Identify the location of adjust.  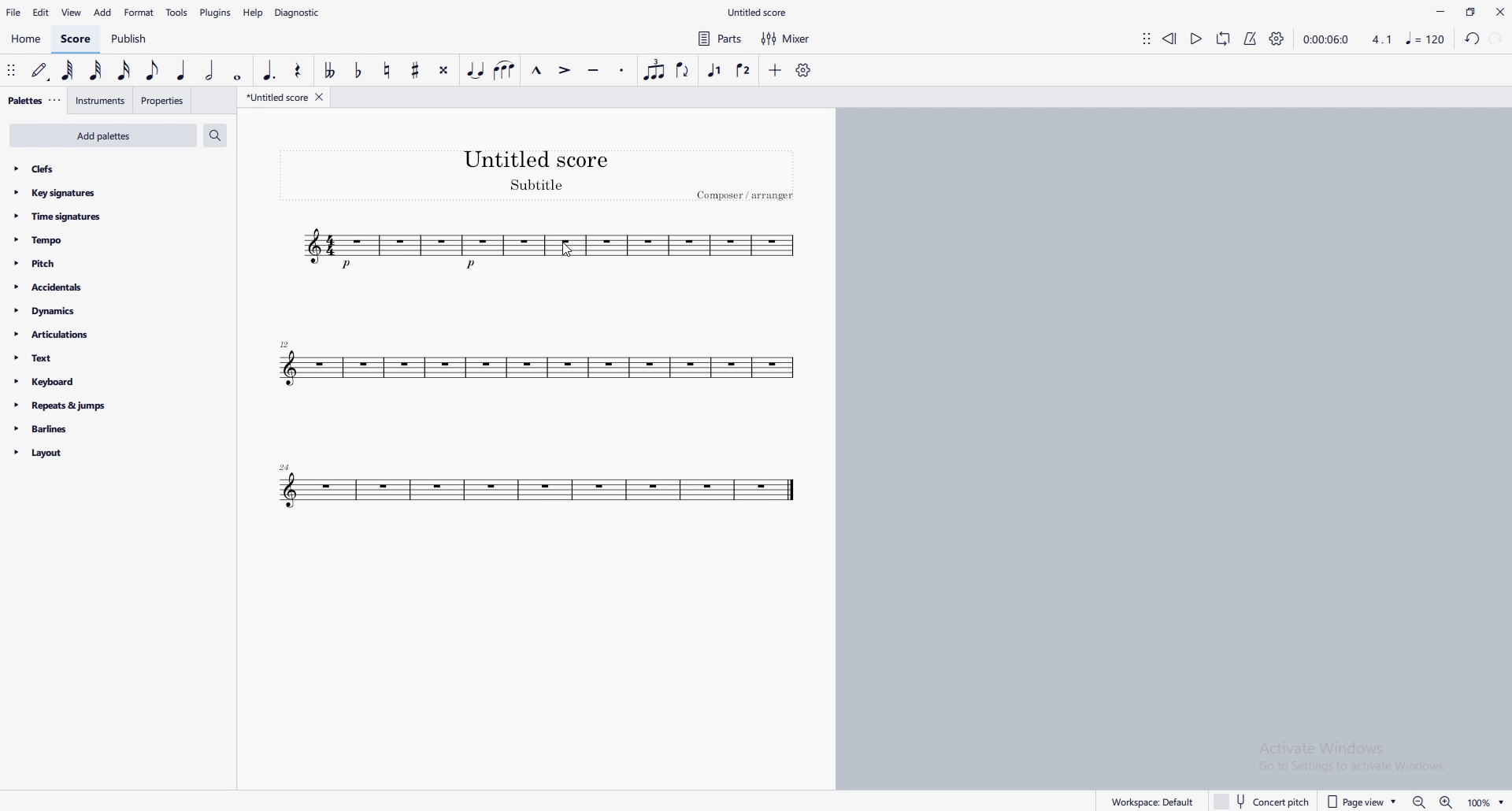
(58, 99).